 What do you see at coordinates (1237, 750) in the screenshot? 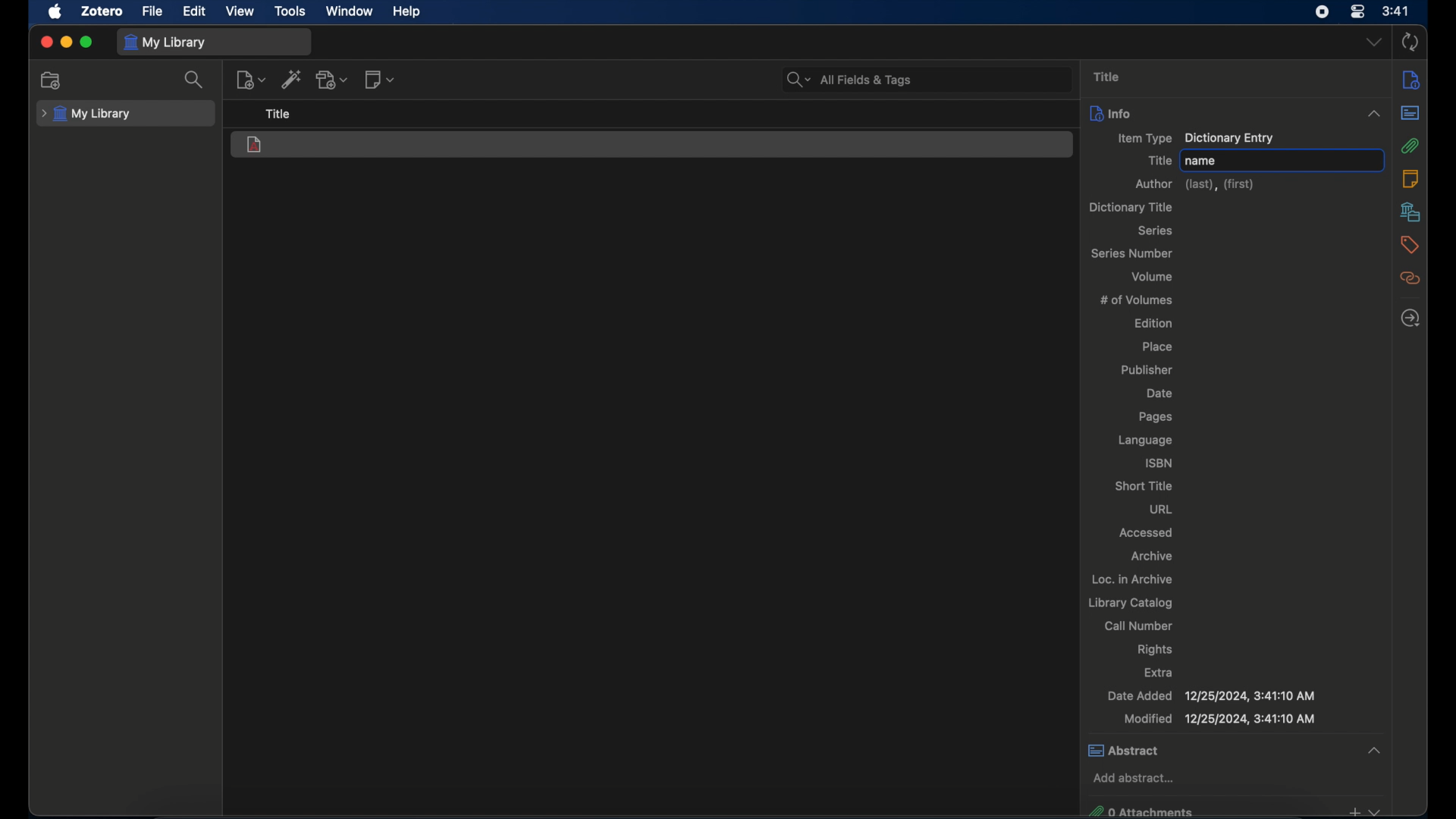
I see `abstract` at bounding box center [1237, 750].